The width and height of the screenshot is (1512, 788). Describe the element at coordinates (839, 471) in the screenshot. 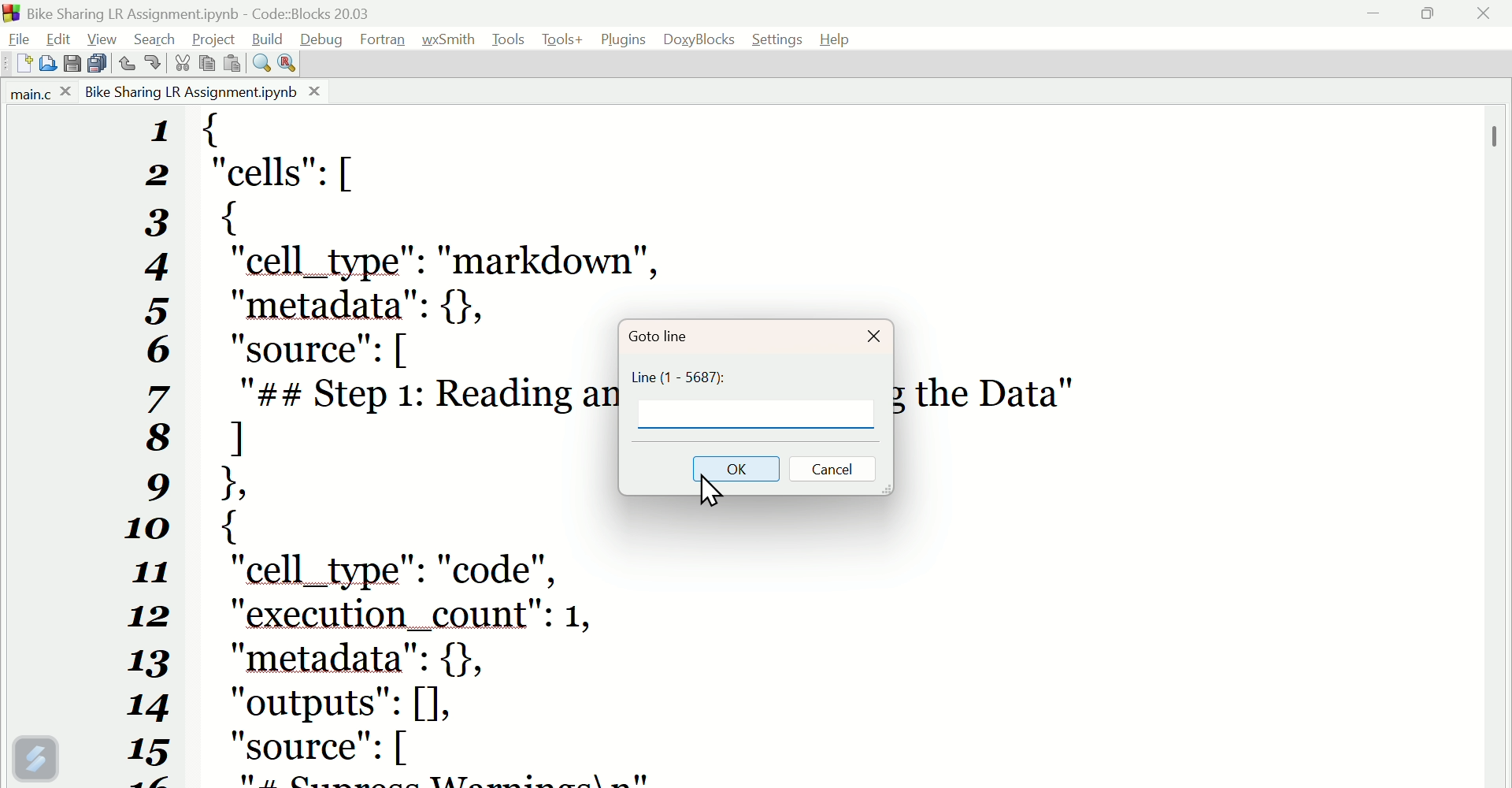

I see `Cancel` at that location.